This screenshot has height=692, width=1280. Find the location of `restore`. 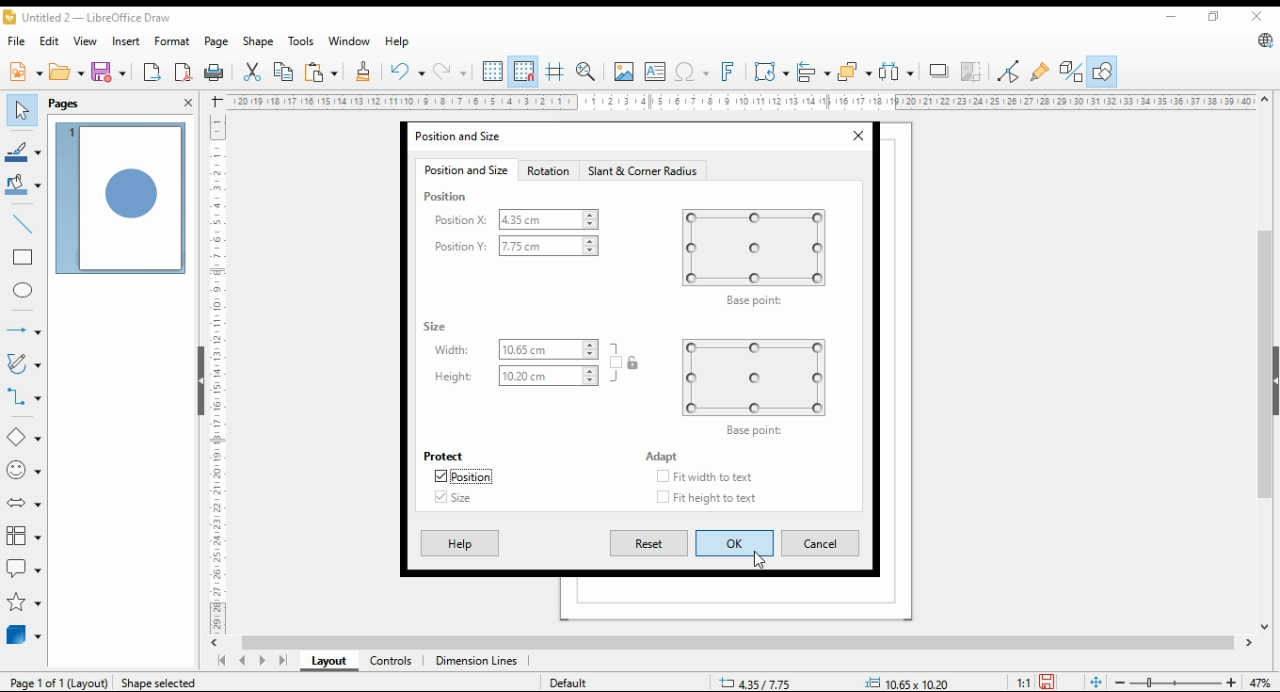

restore is located at coordinates (1218, 17).